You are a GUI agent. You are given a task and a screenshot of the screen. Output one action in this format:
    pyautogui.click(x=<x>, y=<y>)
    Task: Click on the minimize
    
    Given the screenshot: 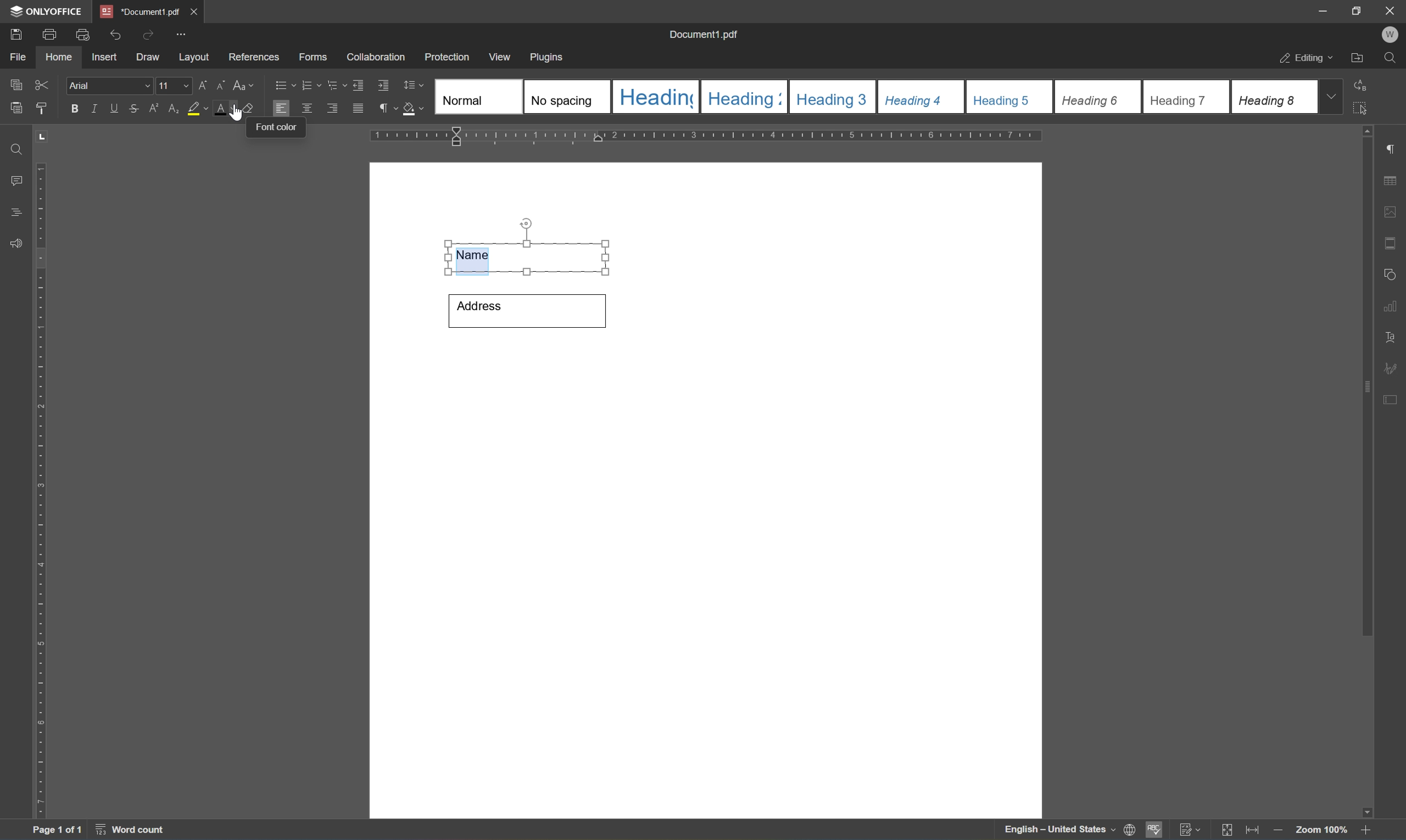 What is the action you would take?
    pyautogui.click(x=1323, y=10)
    